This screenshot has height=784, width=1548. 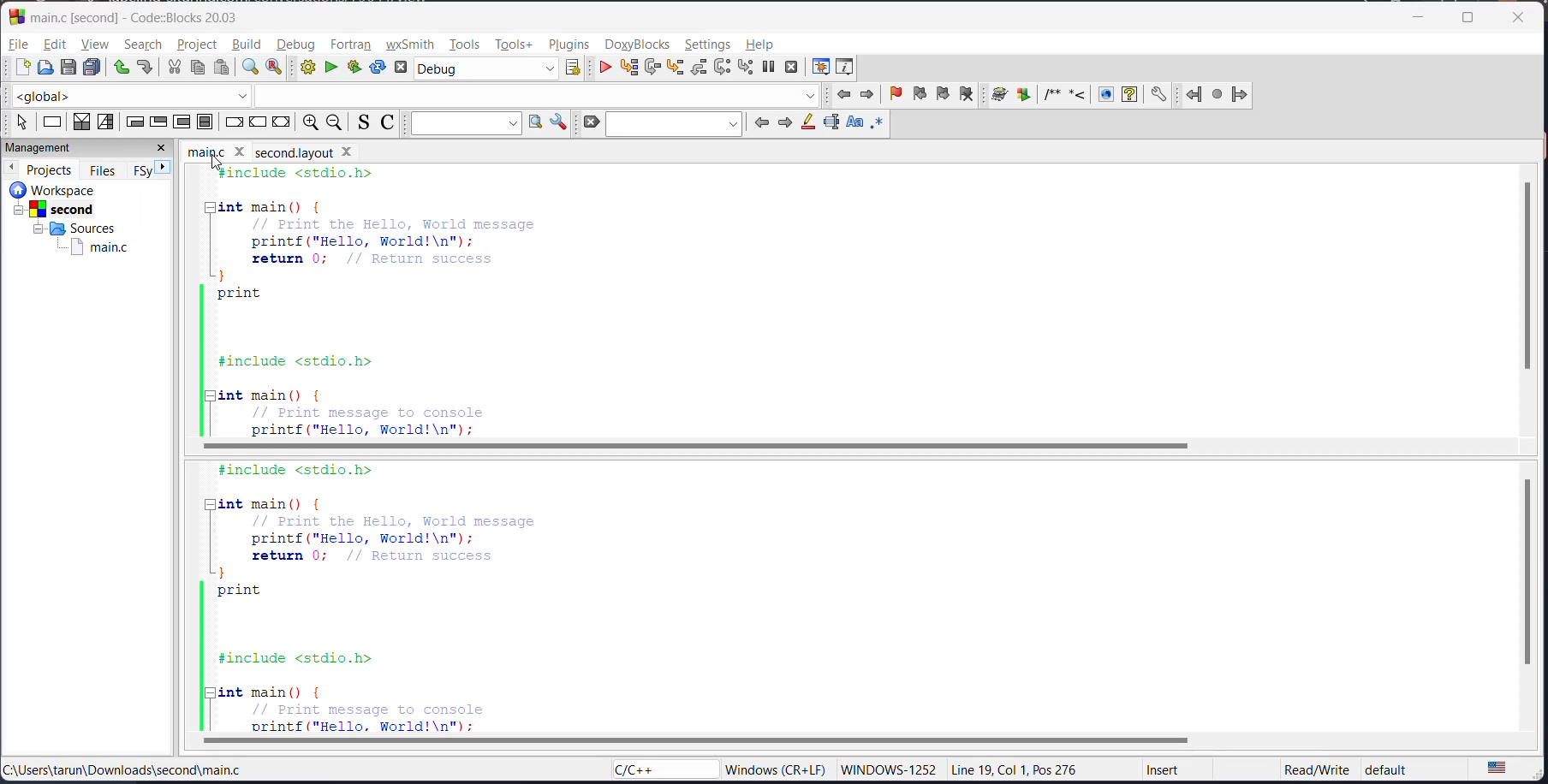 I want to click on FSy, so click(x=142, y=170).